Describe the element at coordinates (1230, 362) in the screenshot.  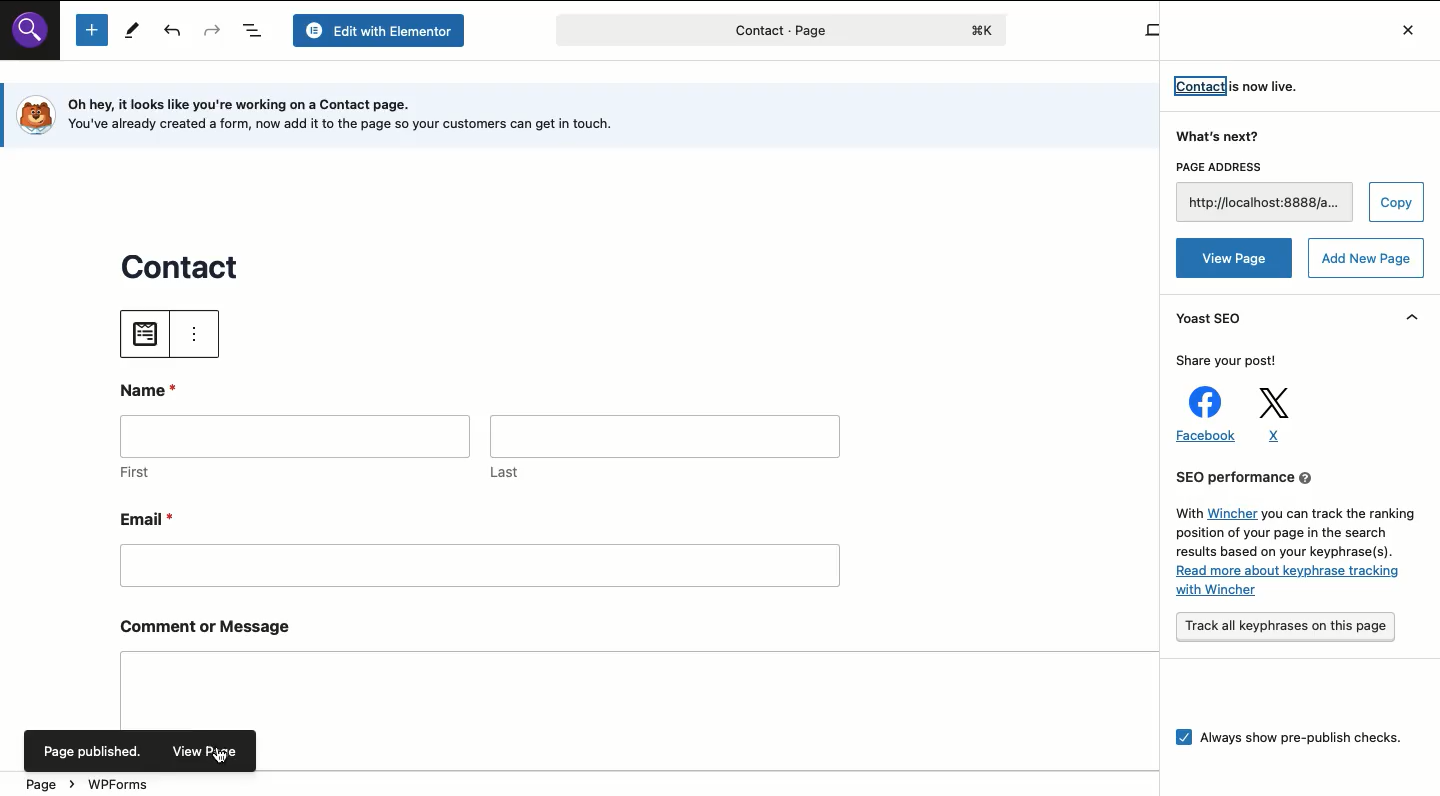
I see `Share your post` at that location.